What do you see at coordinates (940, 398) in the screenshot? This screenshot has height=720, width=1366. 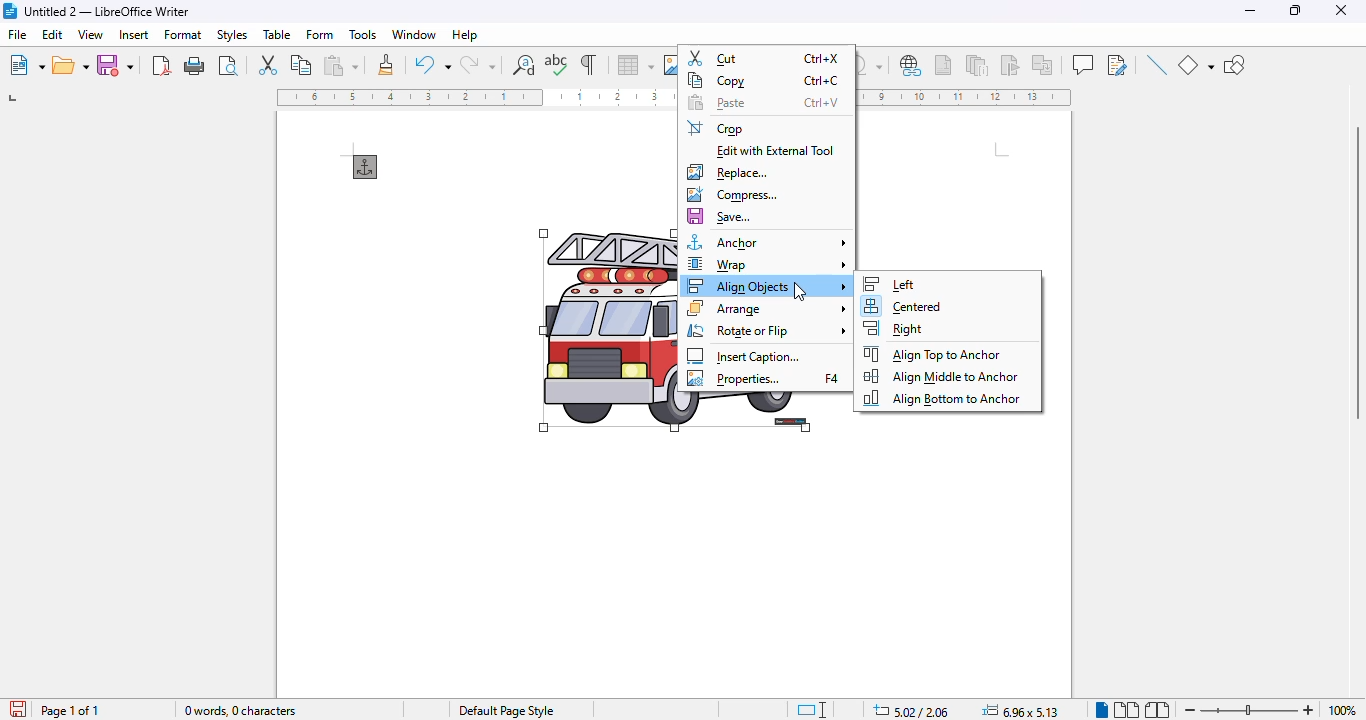 I see `align bottom to anchor` at bounding box center [940, 398].